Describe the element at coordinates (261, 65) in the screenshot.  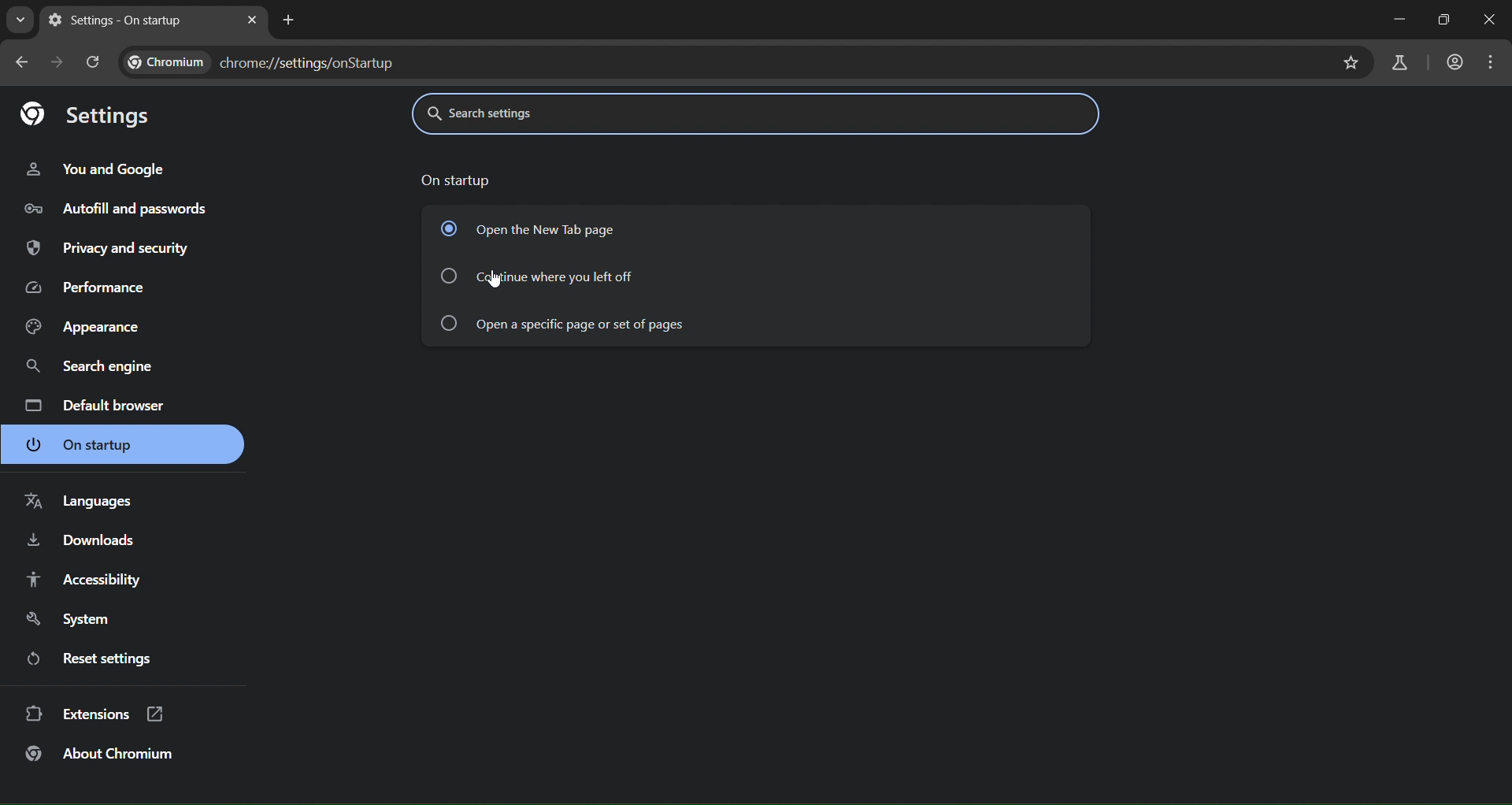
I see `chrome://settings/onStartup` at that location.